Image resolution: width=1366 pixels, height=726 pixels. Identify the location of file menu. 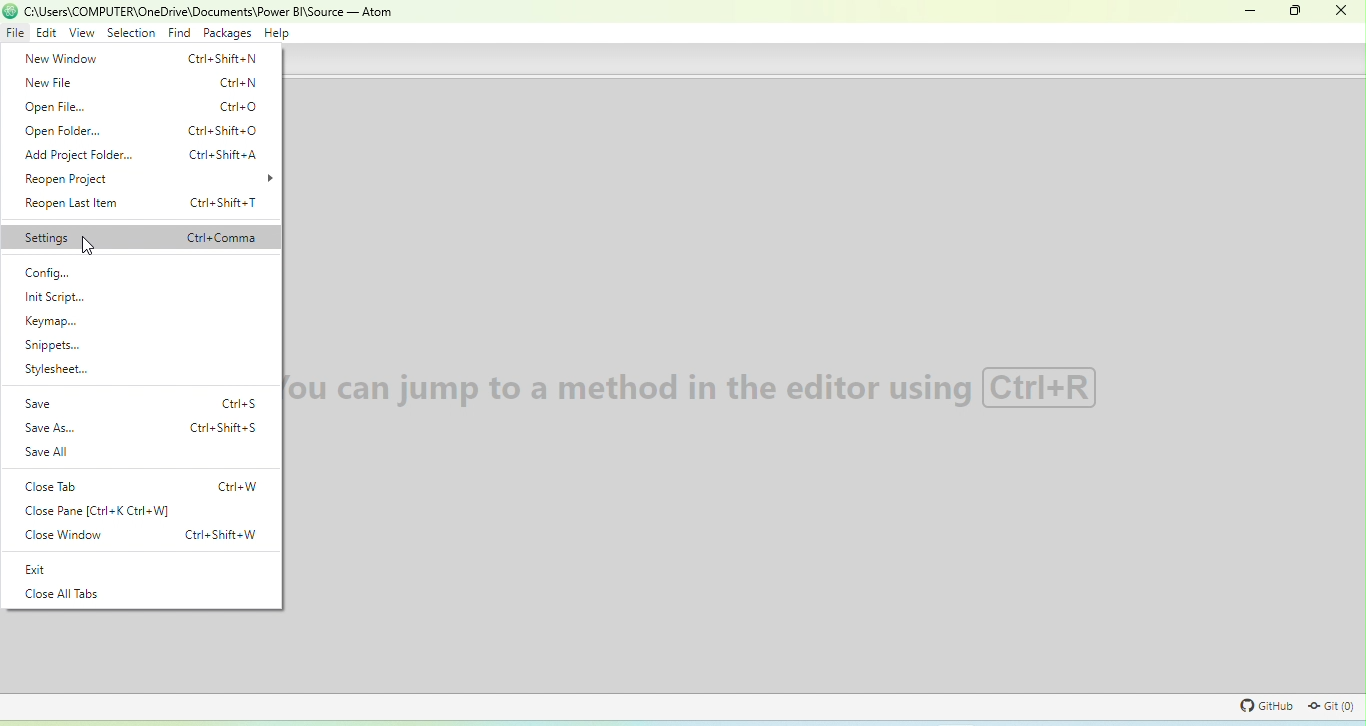
(16, 33).